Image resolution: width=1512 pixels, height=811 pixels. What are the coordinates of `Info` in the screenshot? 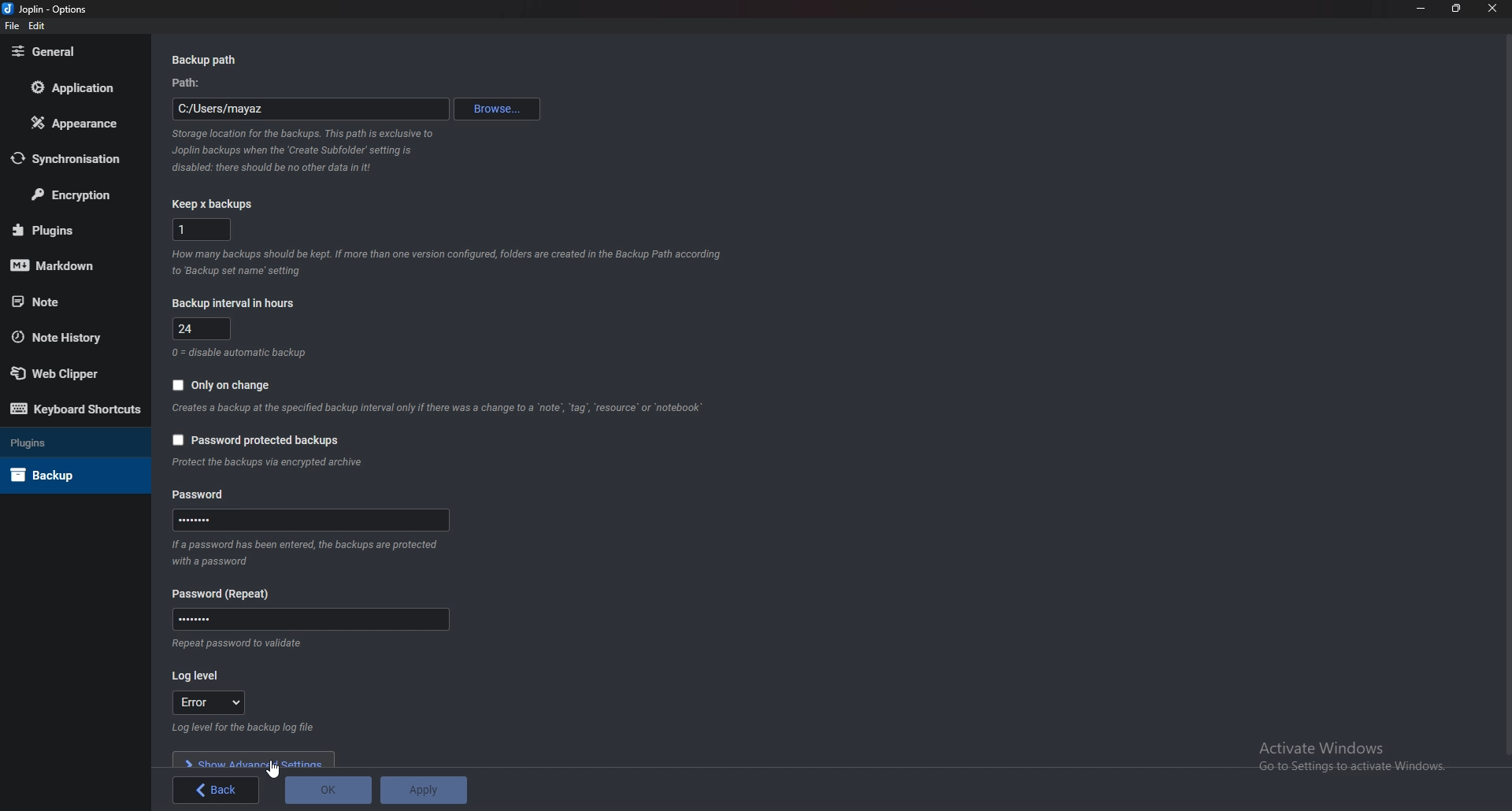 It's located at (307, 151).